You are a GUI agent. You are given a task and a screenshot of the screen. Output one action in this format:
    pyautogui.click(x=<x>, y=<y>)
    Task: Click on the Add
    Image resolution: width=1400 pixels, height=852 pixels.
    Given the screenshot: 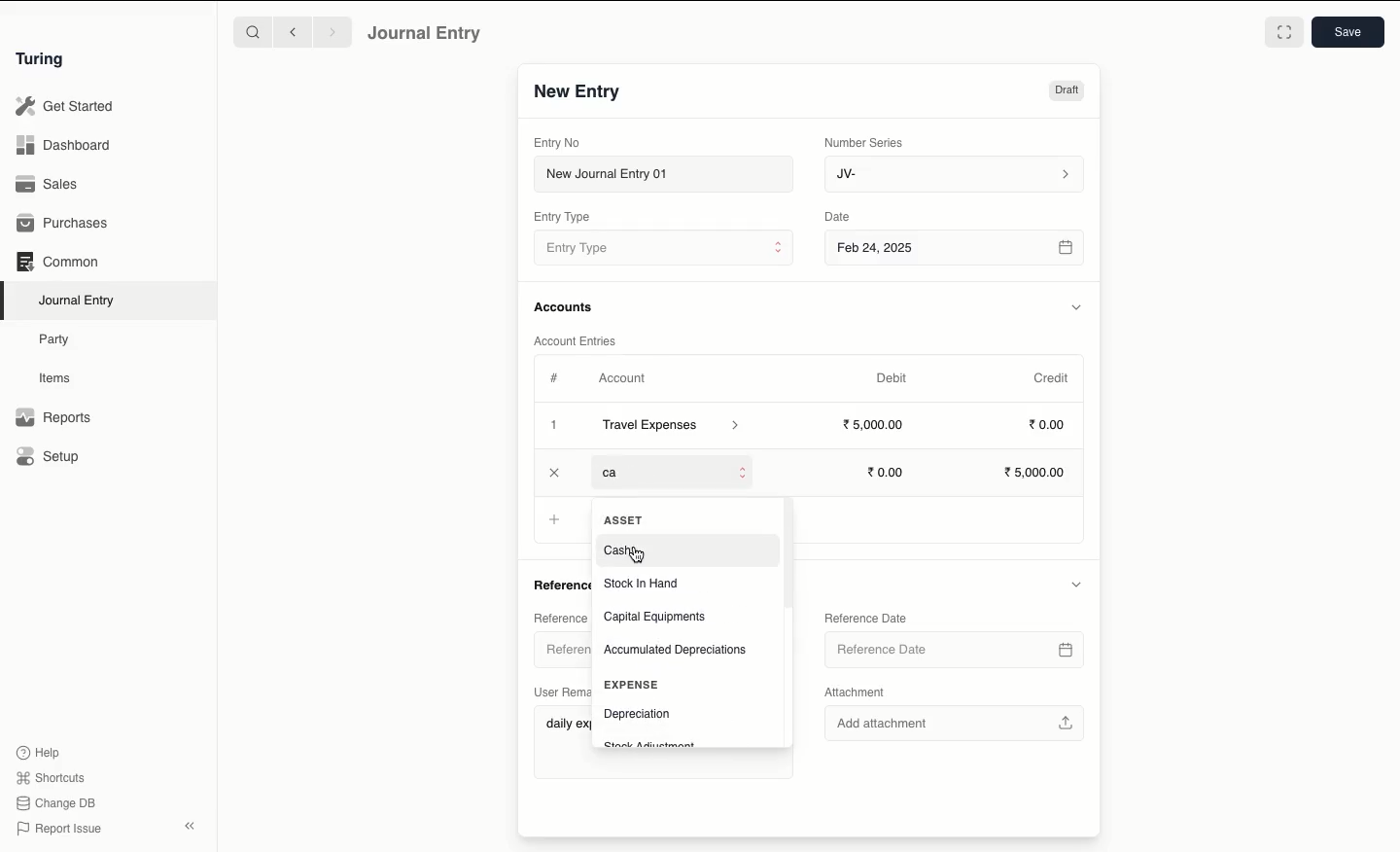 What is the action you would take?
    pyautogui.click(x=553, y=470)
    